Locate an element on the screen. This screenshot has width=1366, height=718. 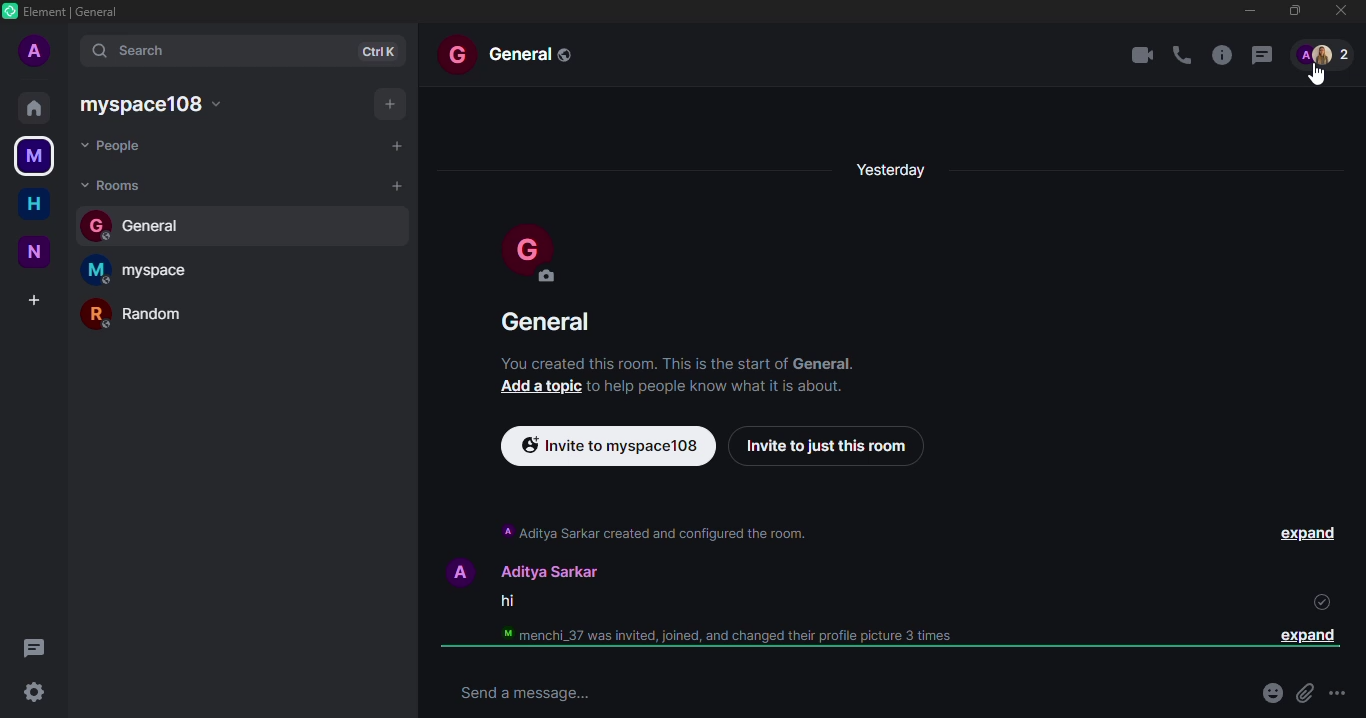
menchi_37 was invited, joined, and changed their profile picture 3 times is located at coordinates (719, 636).